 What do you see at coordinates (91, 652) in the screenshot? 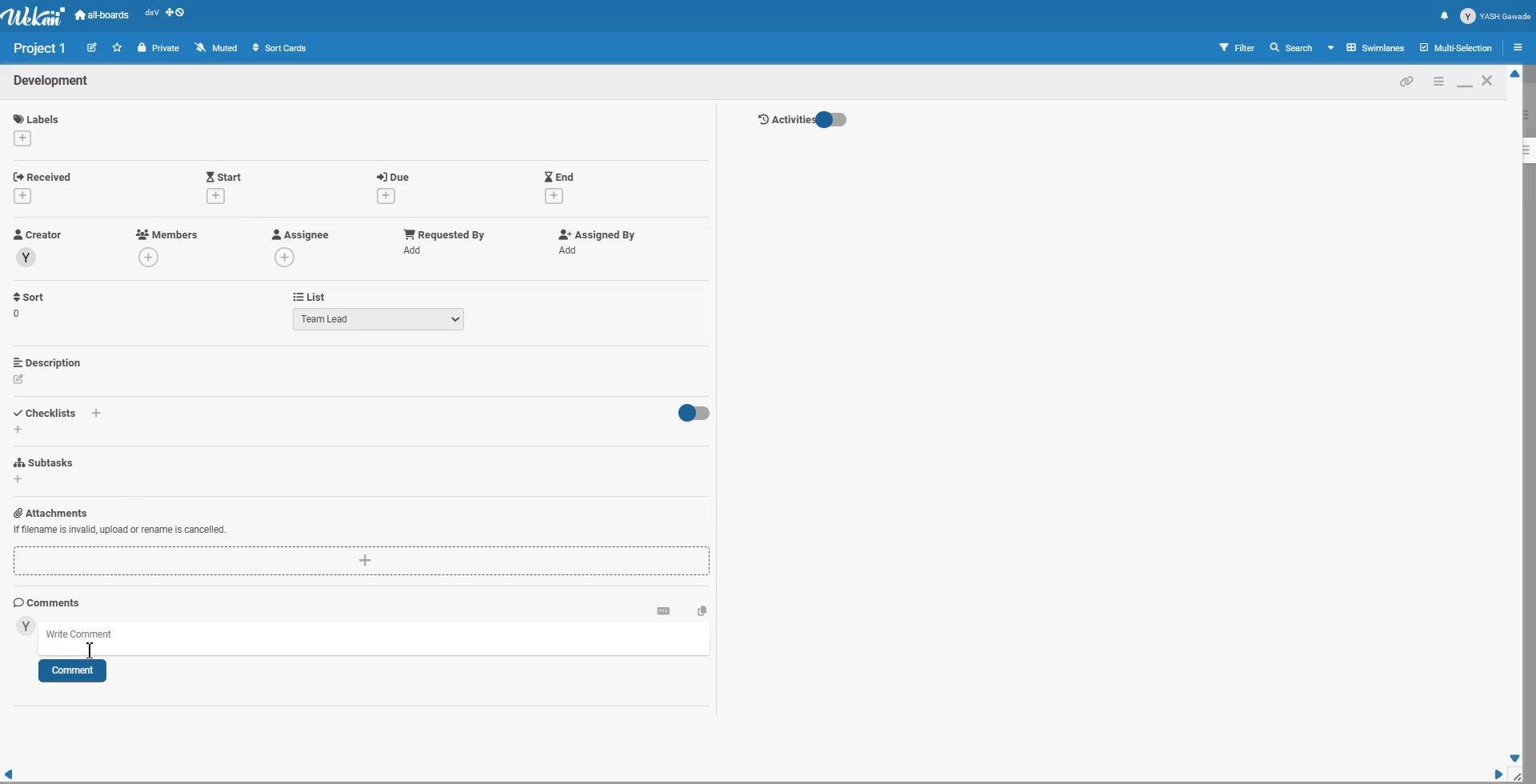
I see `cursor` at bounding box center [91, 652].